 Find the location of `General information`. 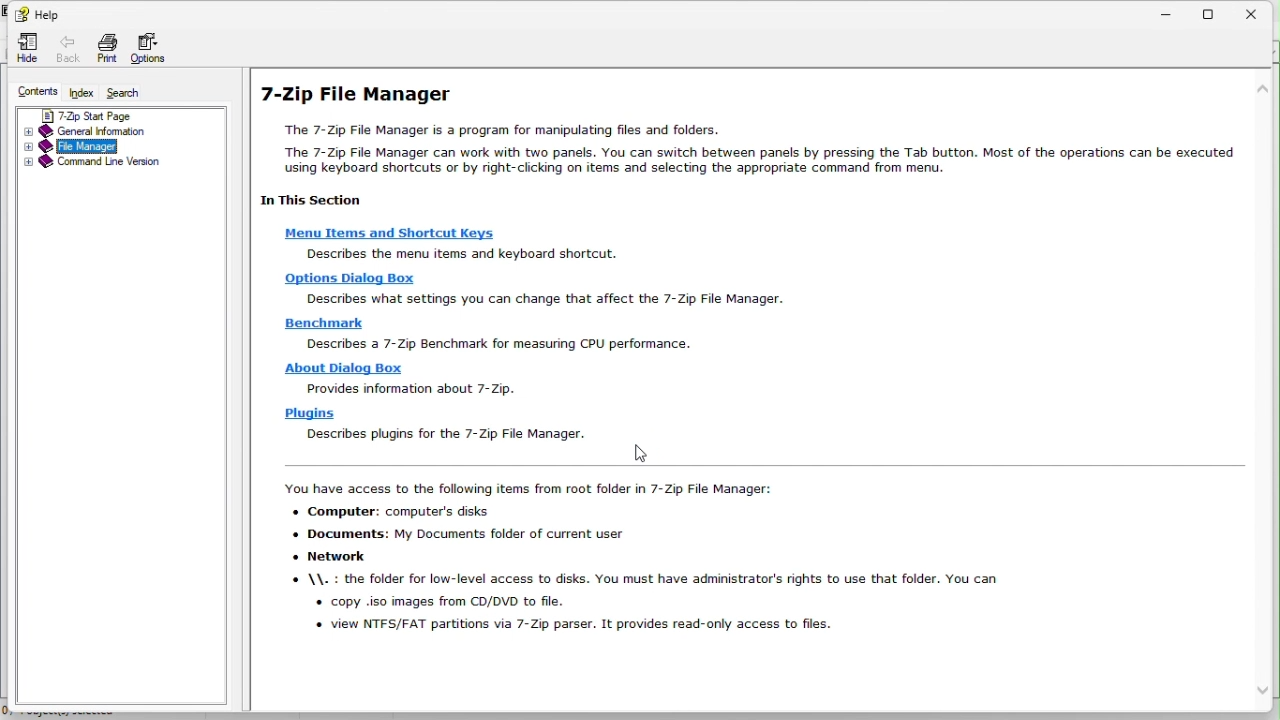

General information is located at coordinates (118, 131).